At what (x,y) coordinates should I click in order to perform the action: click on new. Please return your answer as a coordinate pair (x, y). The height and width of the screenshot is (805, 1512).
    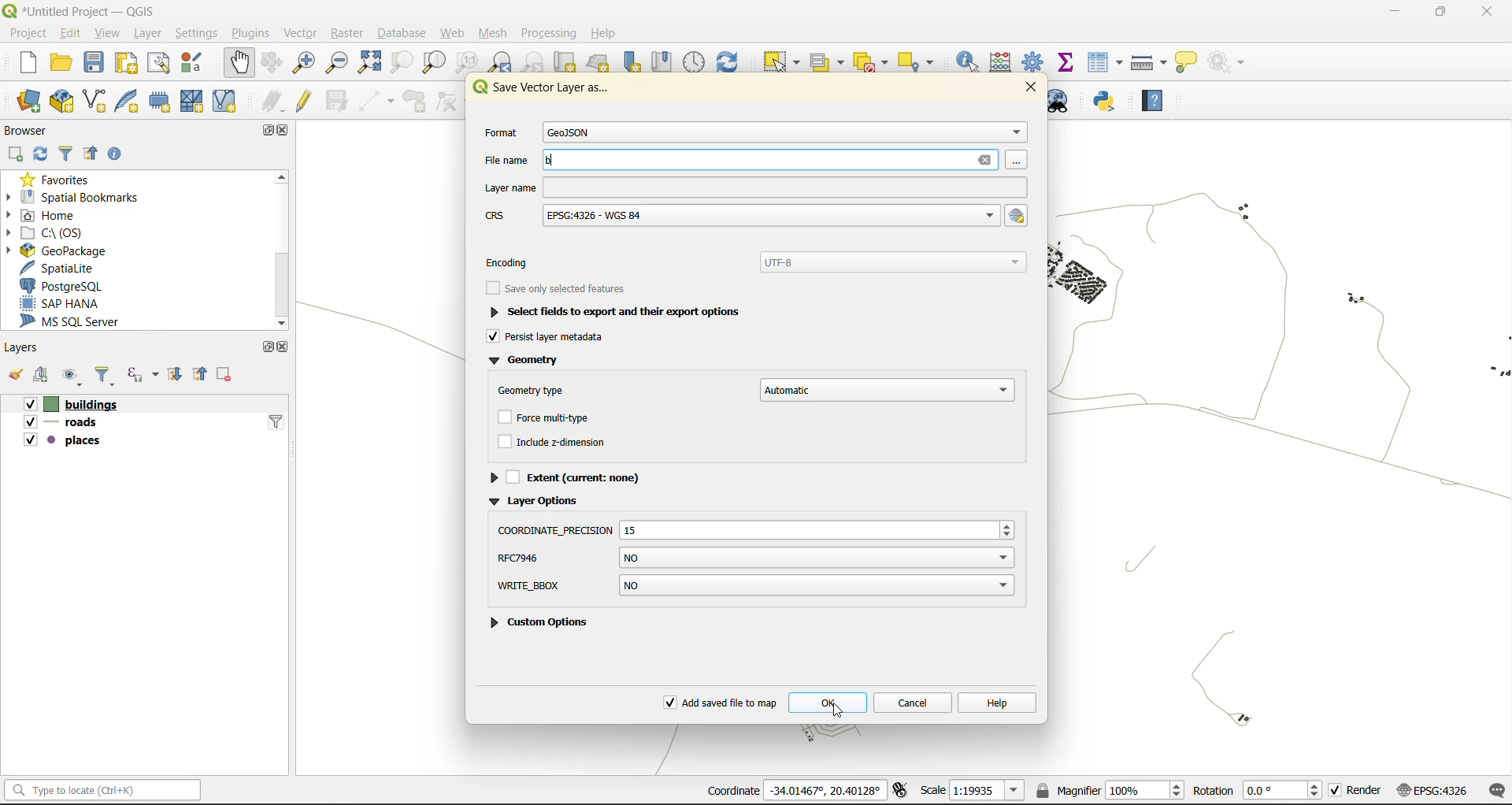
    Looking at the image, I should click on (28, 63).